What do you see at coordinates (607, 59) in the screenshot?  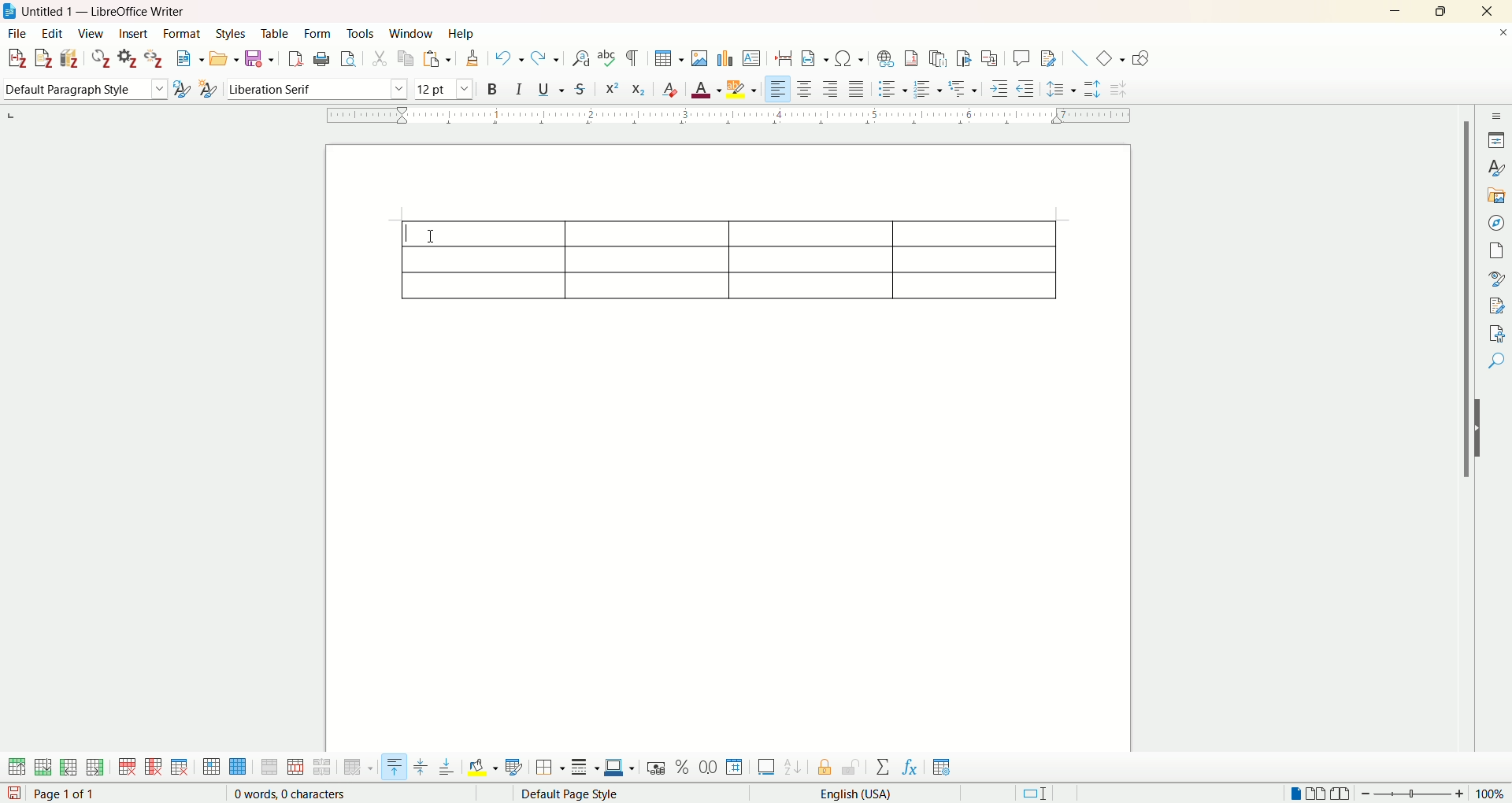 I see `spelling check` at bounding box center [607, 59].